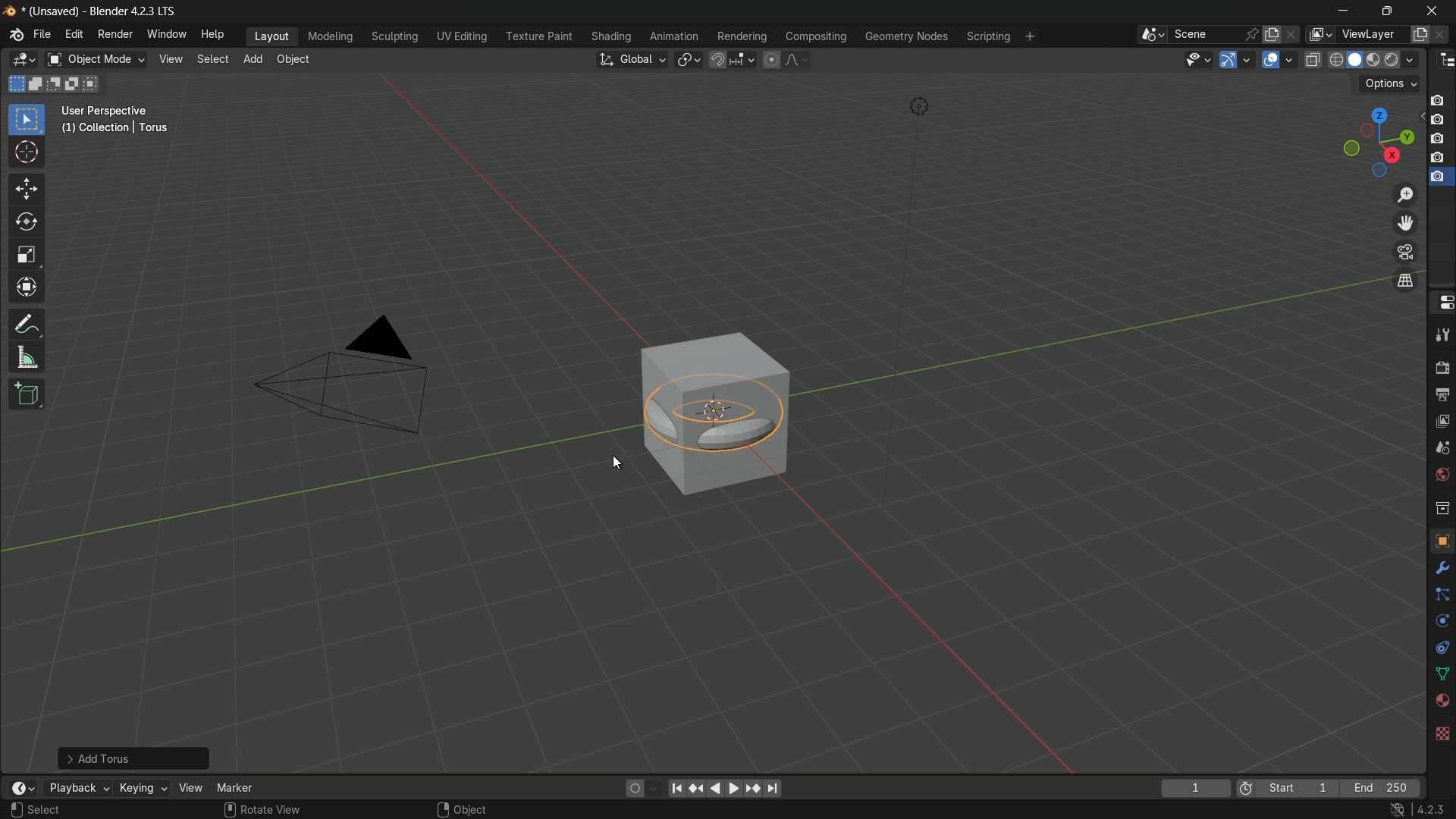 The height and width of the screenshot is (819, 1456). What do you see at coordinates (1436, 119) in the screenshot?
I see `layer 2` at bounding box center [1436, 119].